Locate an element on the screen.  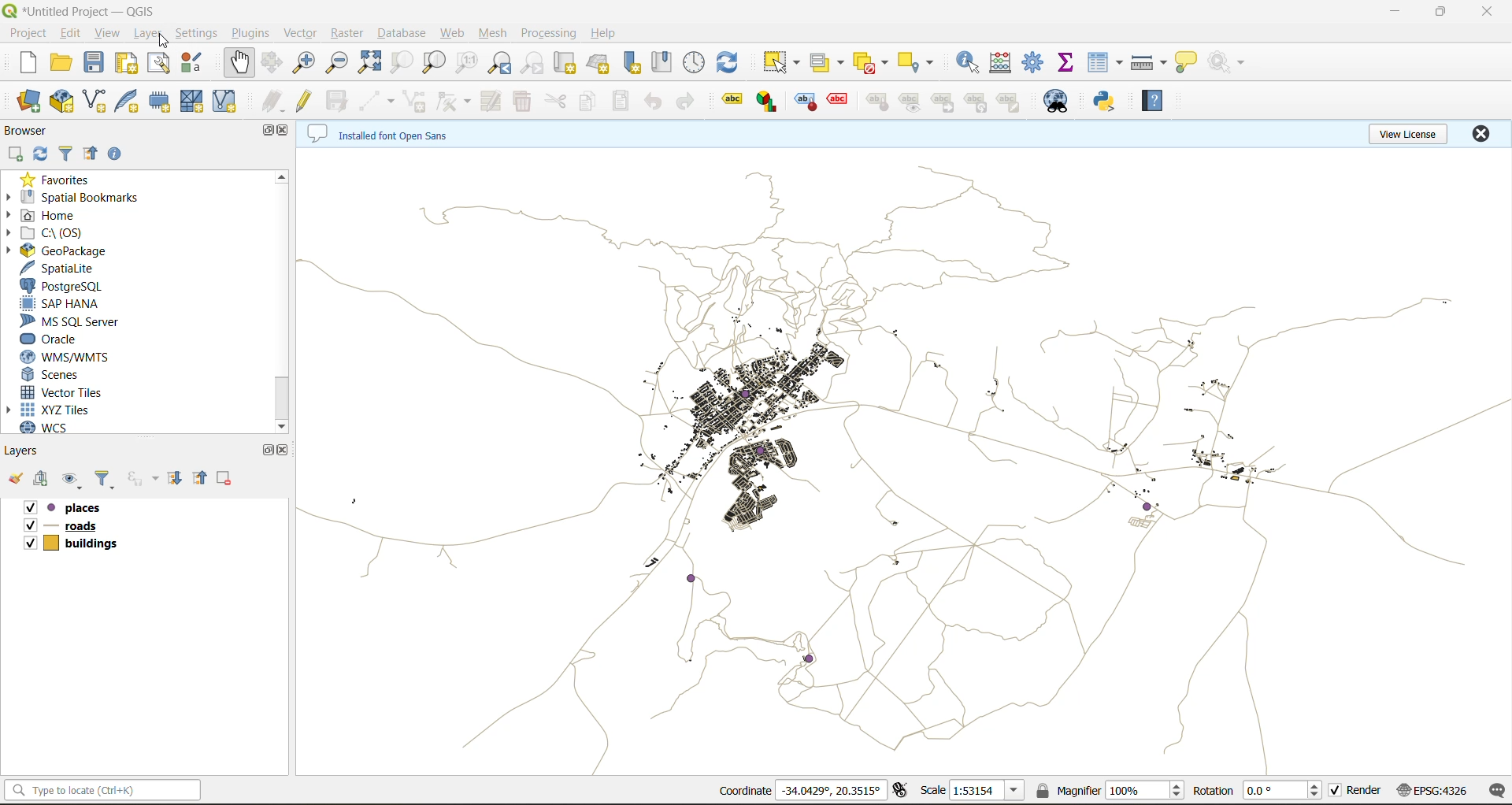
layer is located at coordinates (149, 34).